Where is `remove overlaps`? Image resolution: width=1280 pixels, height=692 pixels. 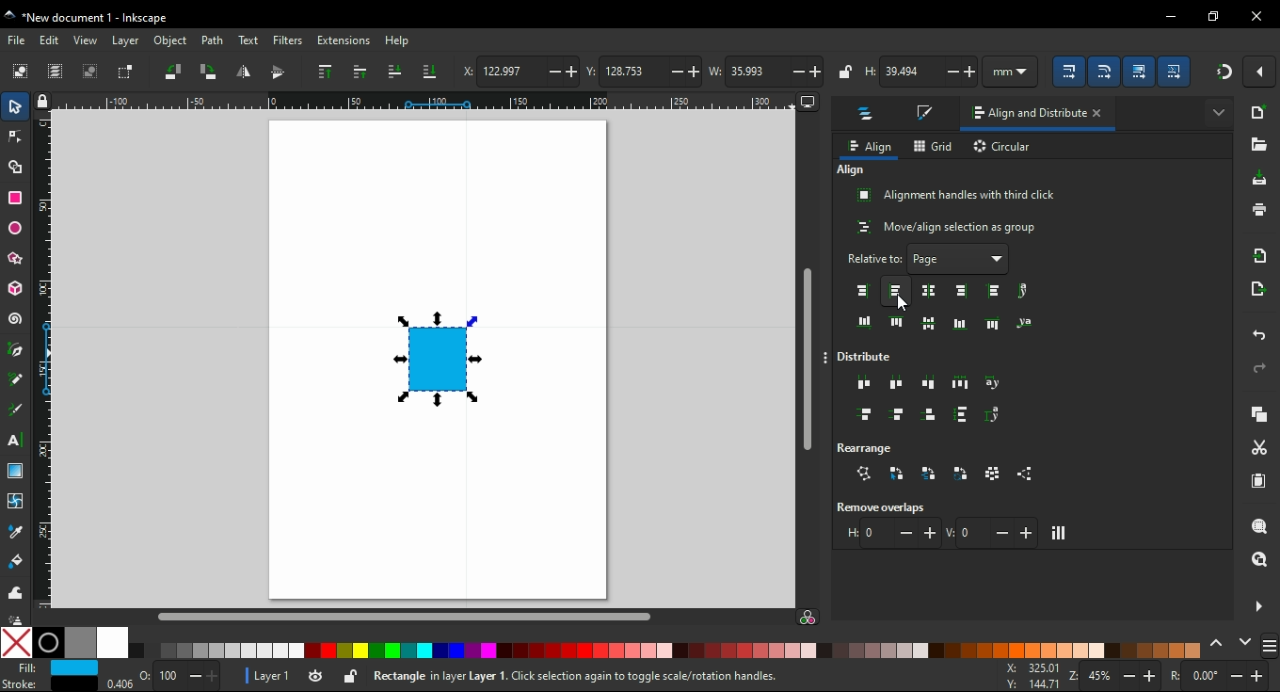
remove overlaps is located at coordinates (880, 507).